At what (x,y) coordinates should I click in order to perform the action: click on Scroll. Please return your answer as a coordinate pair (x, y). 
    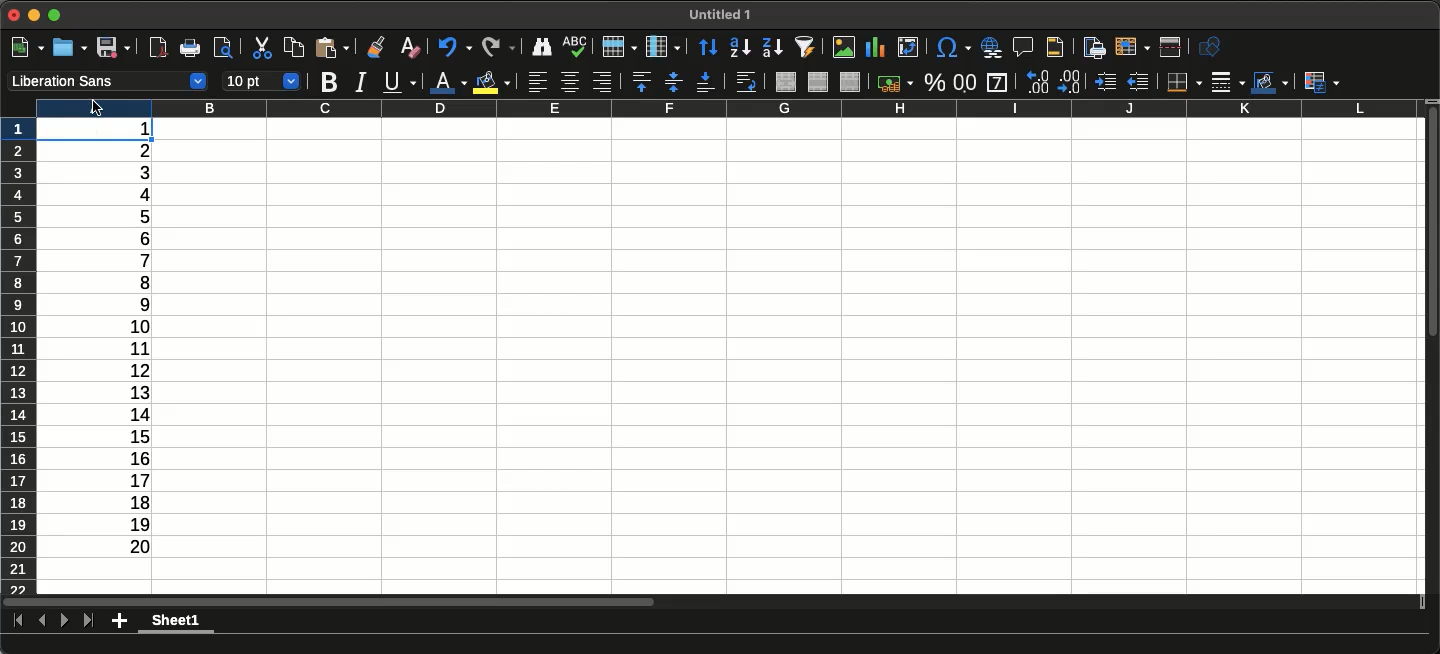
    Looking at the image, I should click on (1431, 224).